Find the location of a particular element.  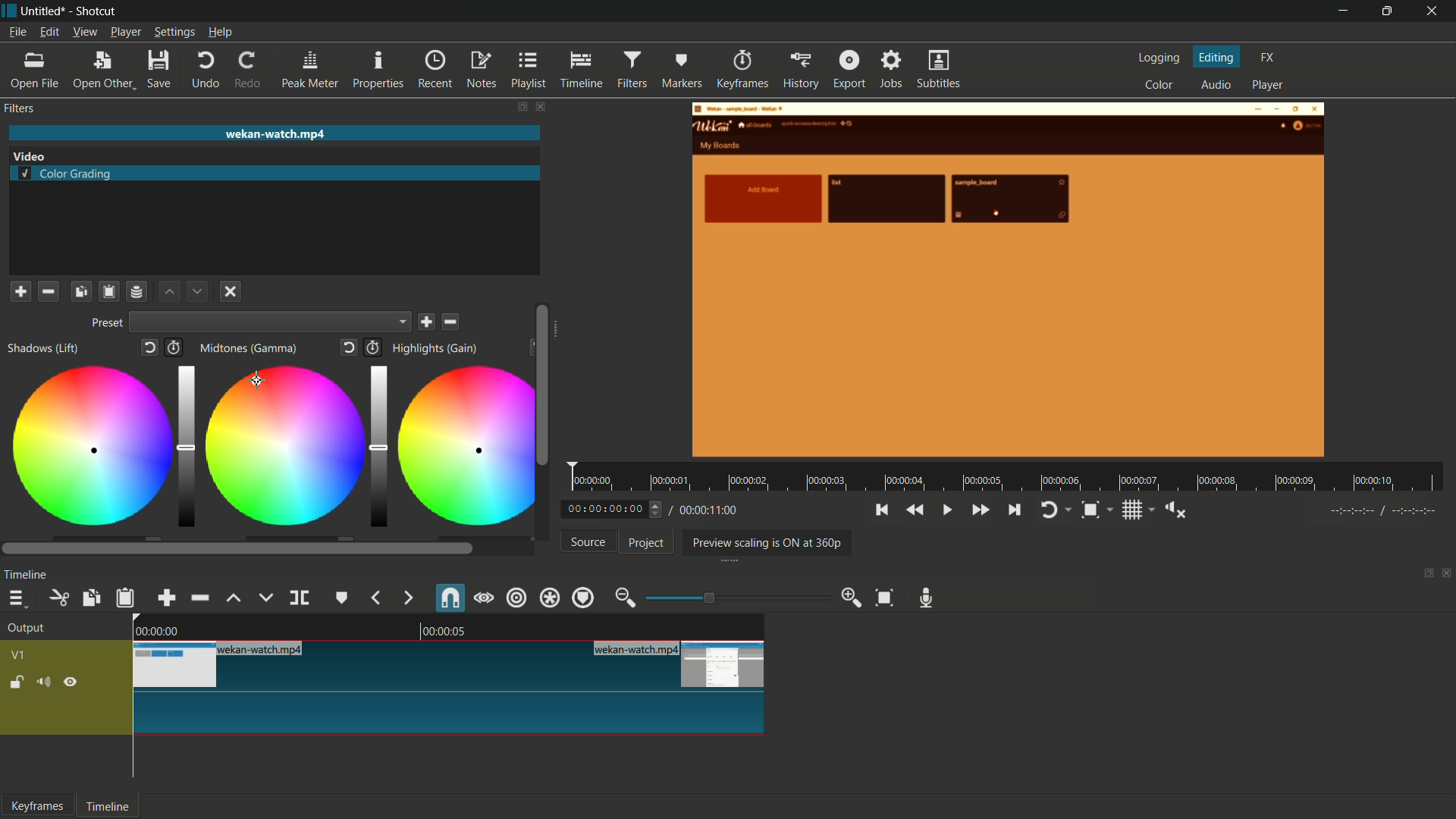

ripple all tracks is located at coordinates (548, 598).